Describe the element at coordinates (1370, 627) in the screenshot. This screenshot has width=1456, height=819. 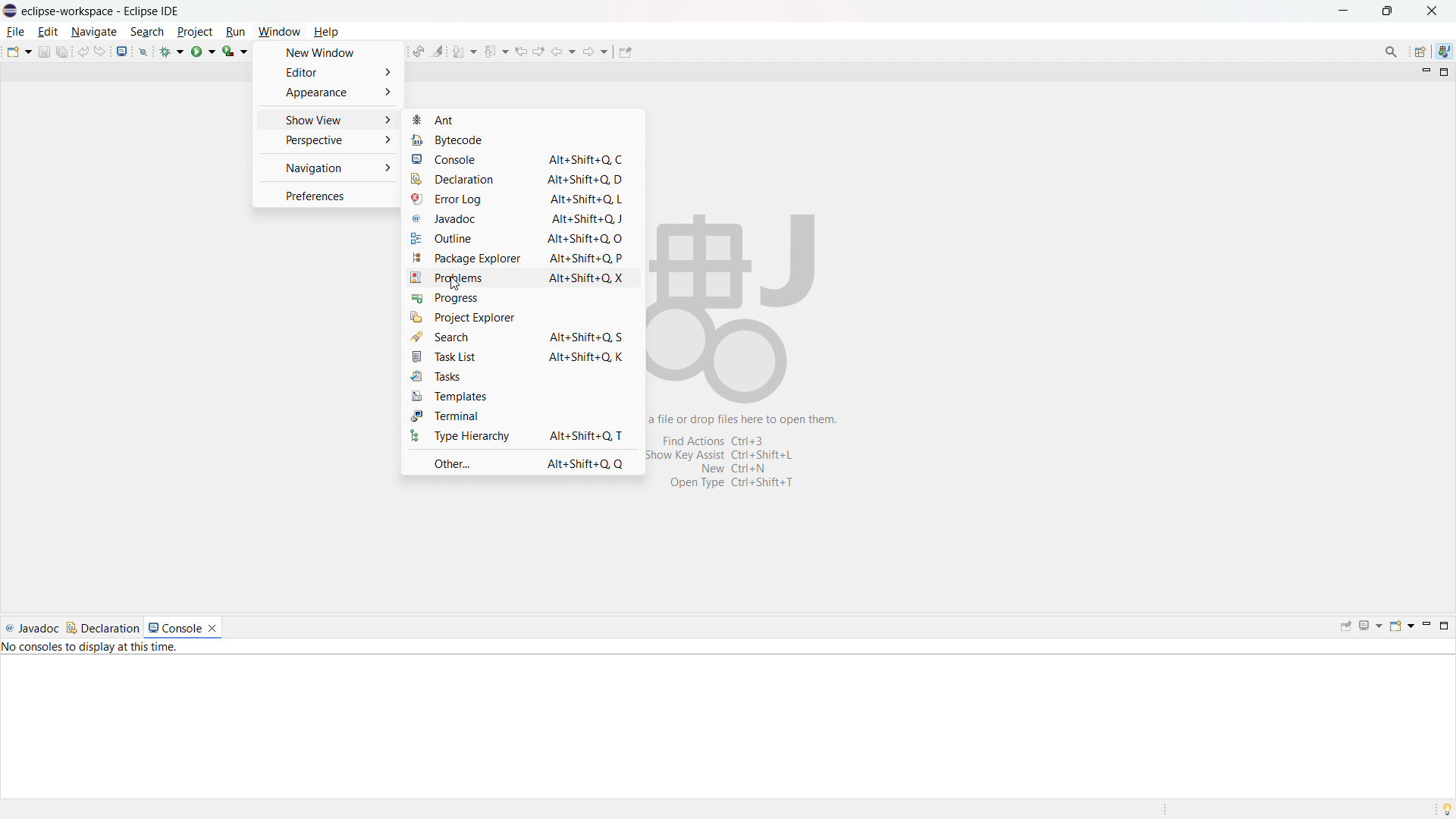
I see `display selected console ` at that location.